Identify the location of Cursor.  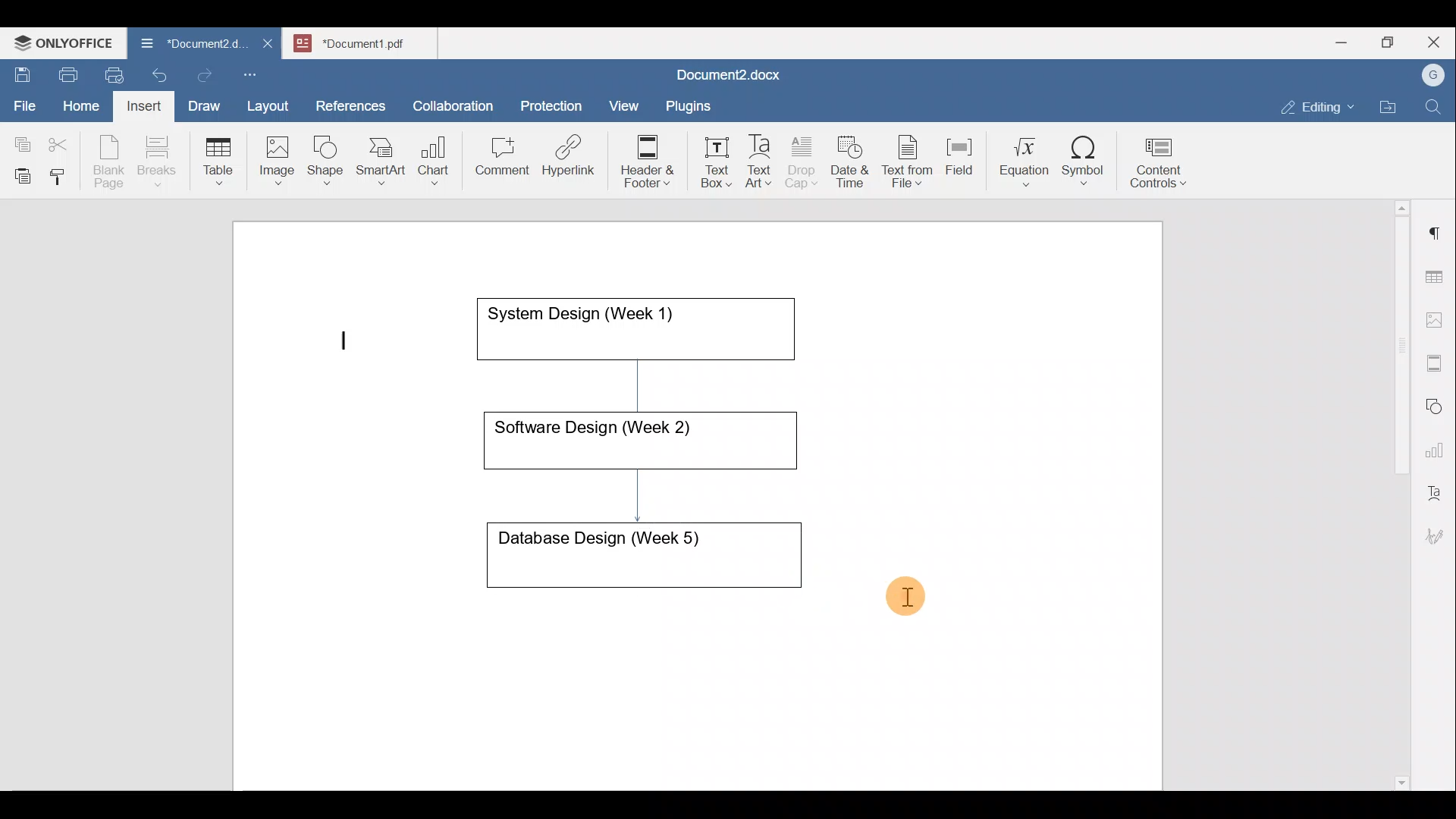
(904, 591).